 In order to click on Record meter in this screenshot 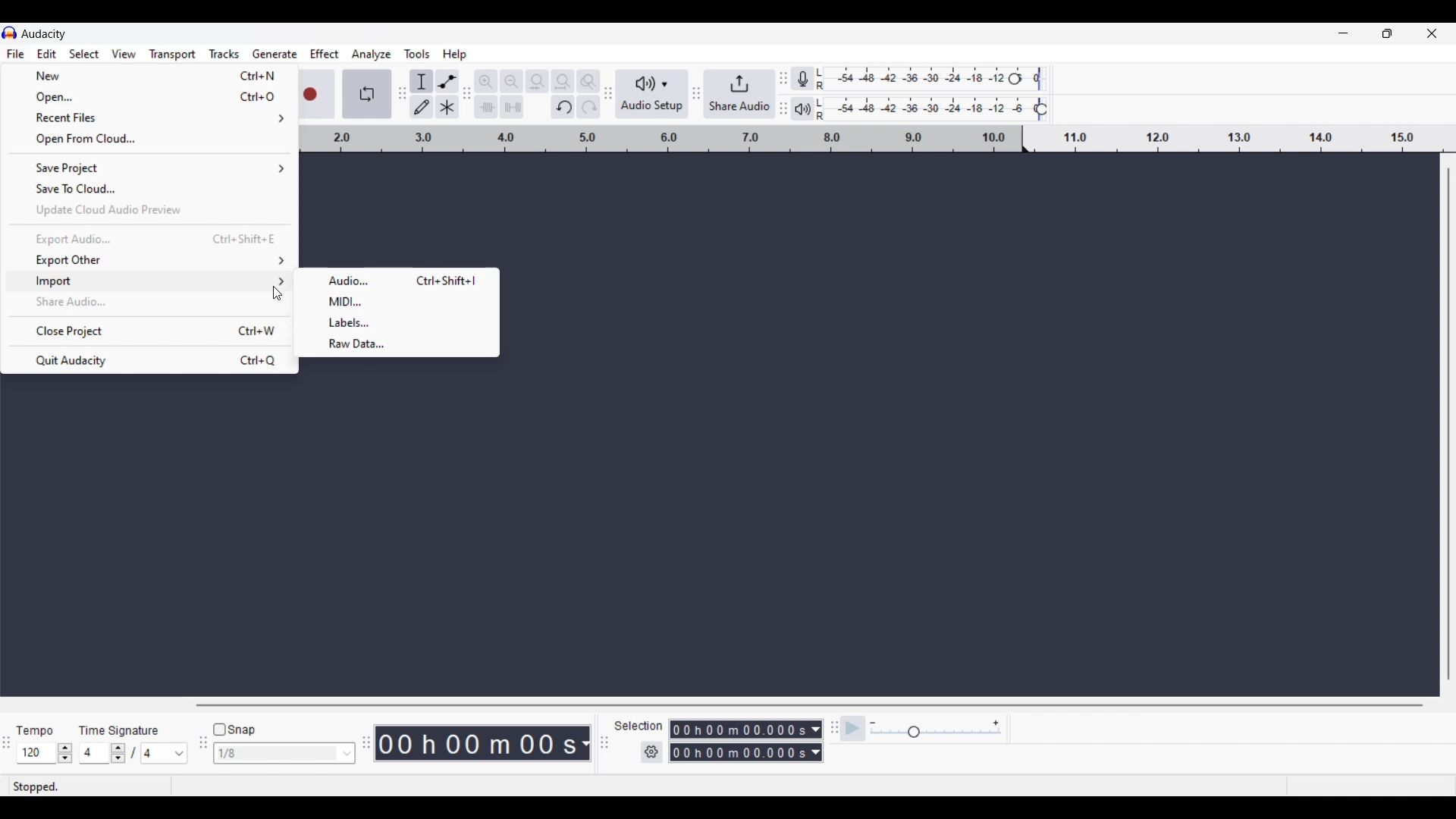, I will do `click(813, 78)`.